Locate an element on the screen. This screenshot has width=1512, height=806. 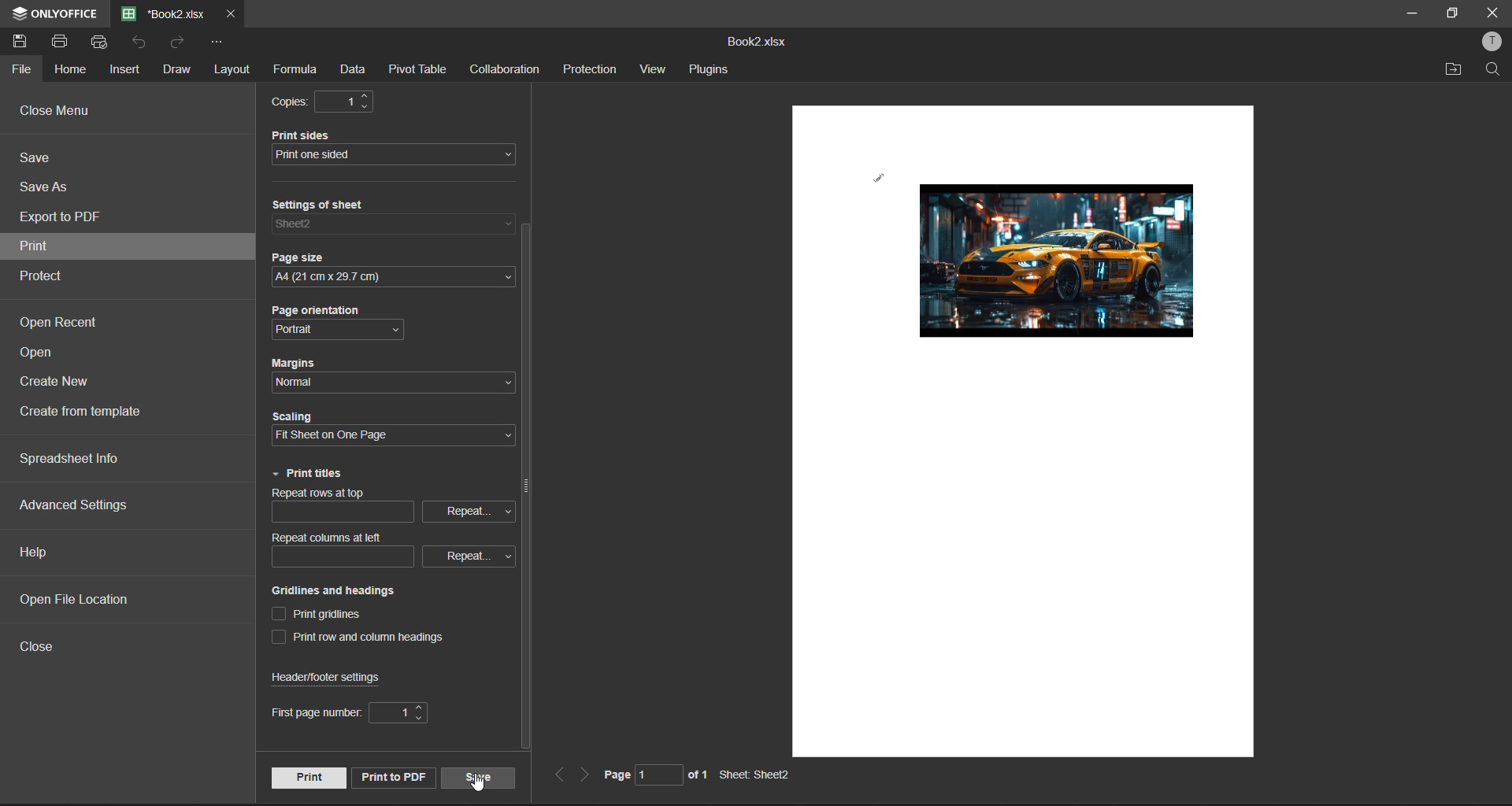
Portrait is located at coordinates (313, 330).